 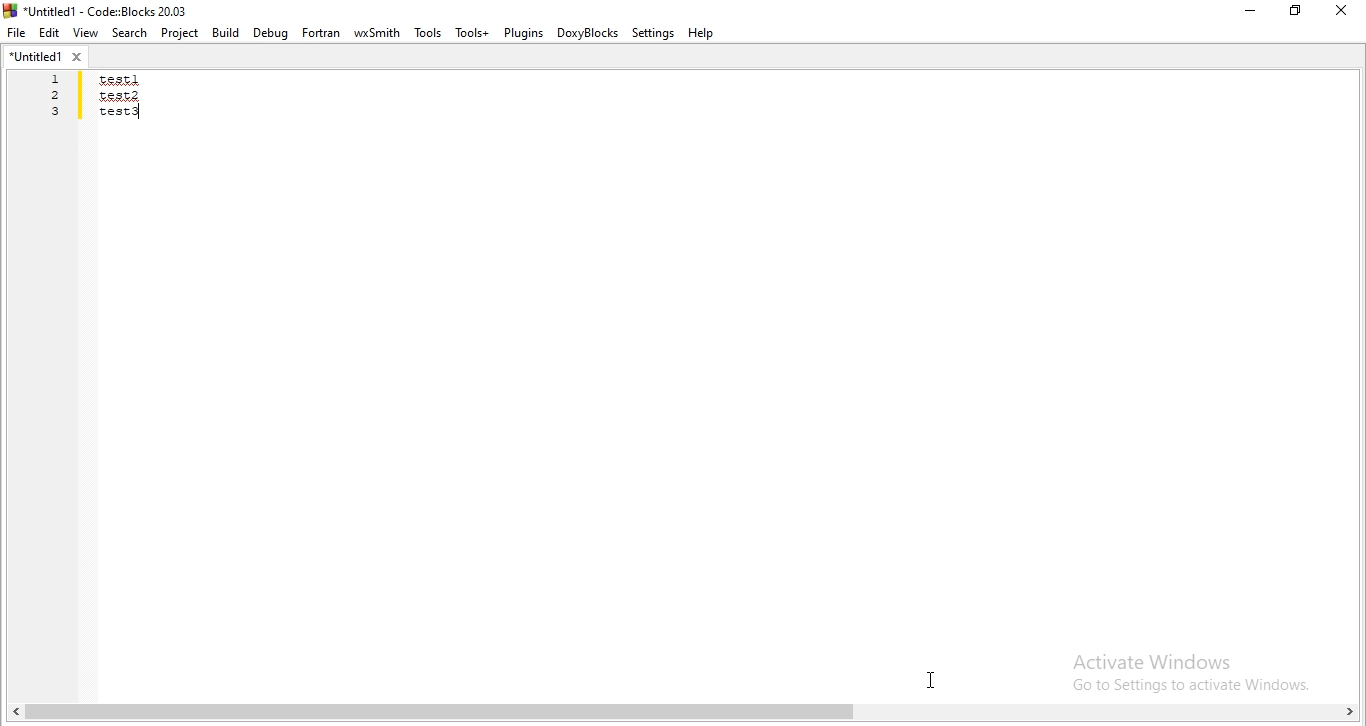 I want to click on View , so click(x=86, y=32).